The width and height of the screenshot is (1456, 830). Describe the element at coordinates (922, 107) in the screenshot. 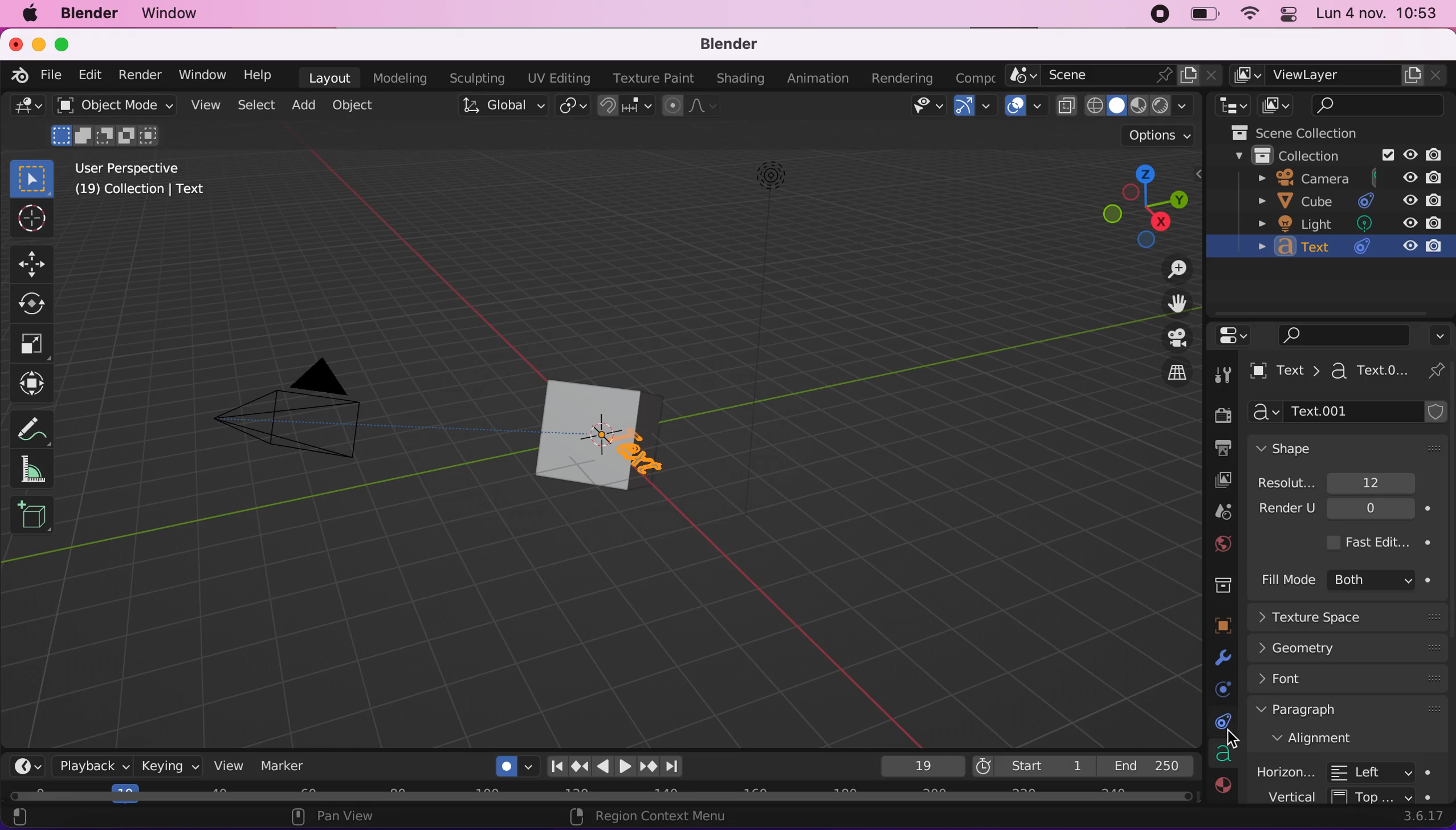

I see `view object types` at that location.